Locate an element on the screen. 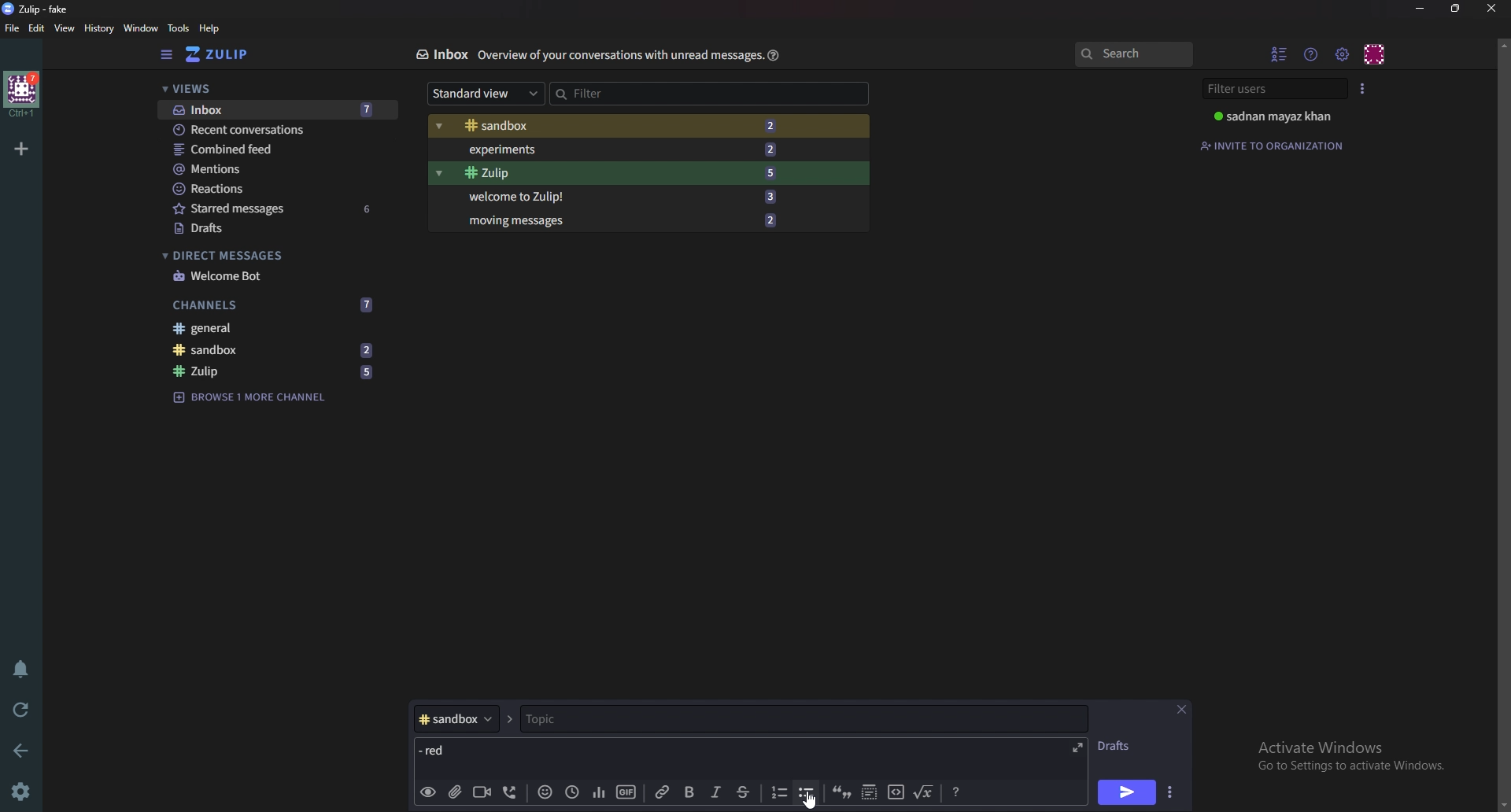 The width and height of the screenshot is (1511, 812). views is located at coordinates (277, 90).